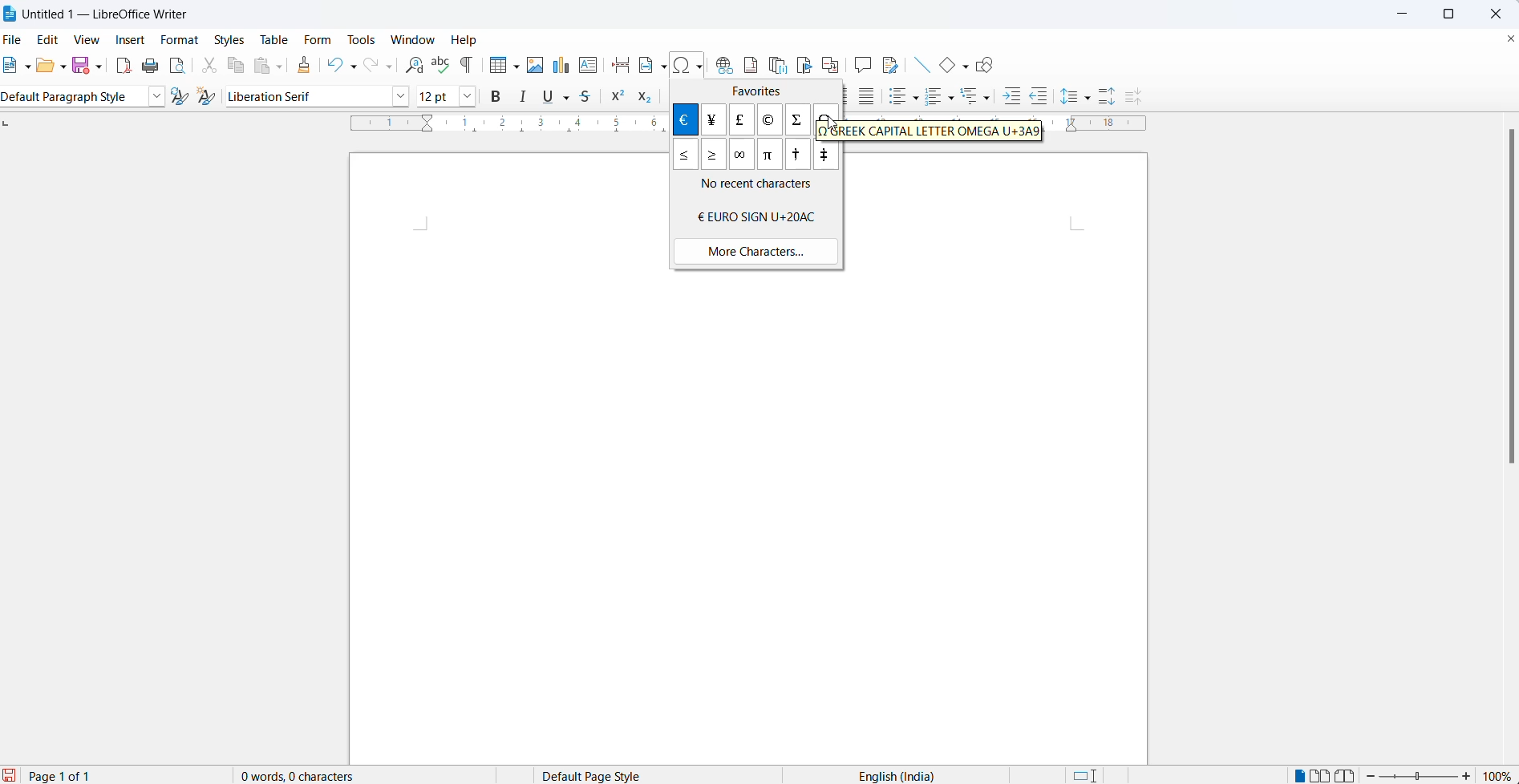 This screenshot has width=1519, height=784. What do you see at coordinates (892, 66) in the screenshot?
I see `show track changes functions` at bounding box center [892, 66].